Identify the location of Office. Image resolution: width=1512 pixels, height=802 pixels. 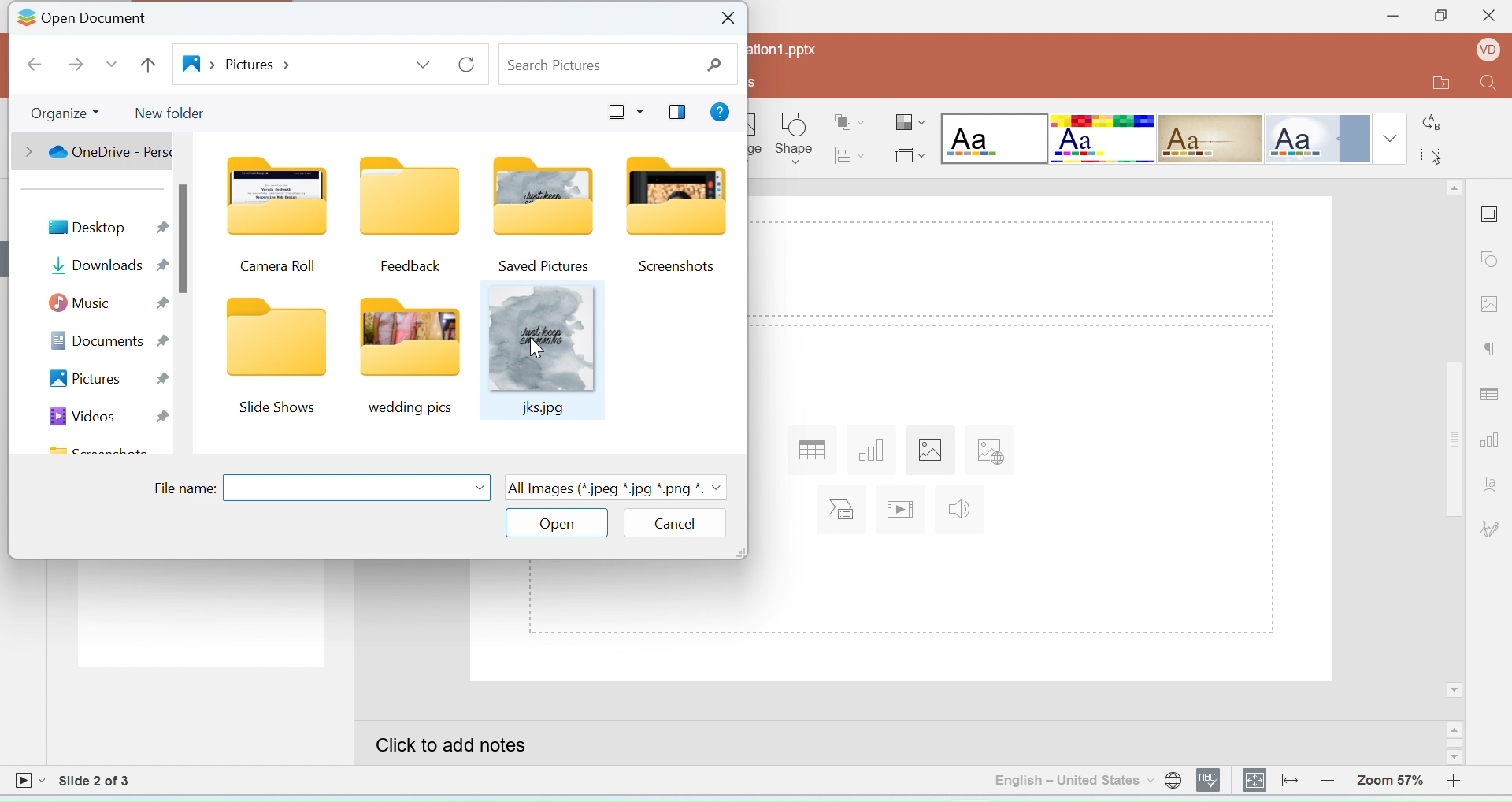
(1316, 139).